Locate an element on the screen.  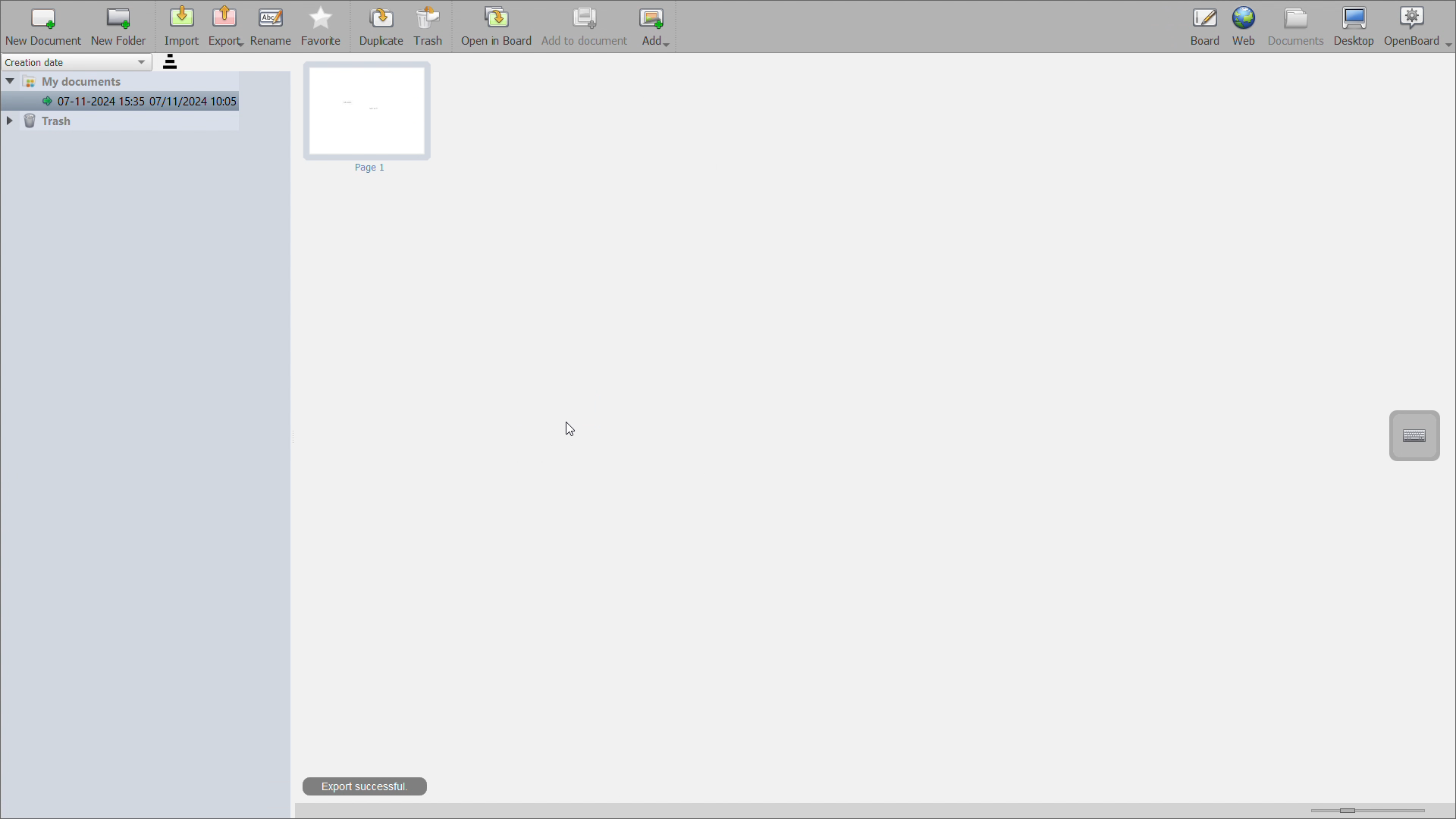
board is located at coordinates (1203, 27).